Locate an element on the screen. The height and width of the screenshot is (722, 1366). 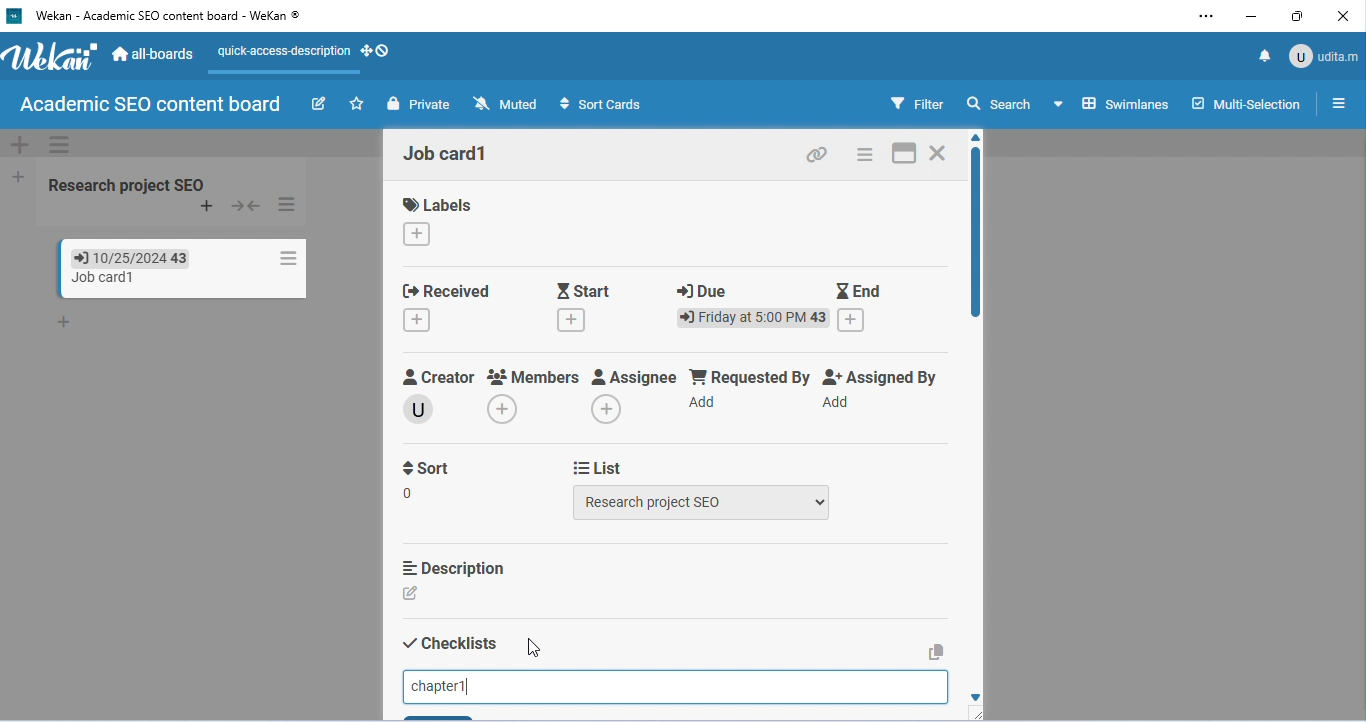
members is located at coordinates (534, 377).